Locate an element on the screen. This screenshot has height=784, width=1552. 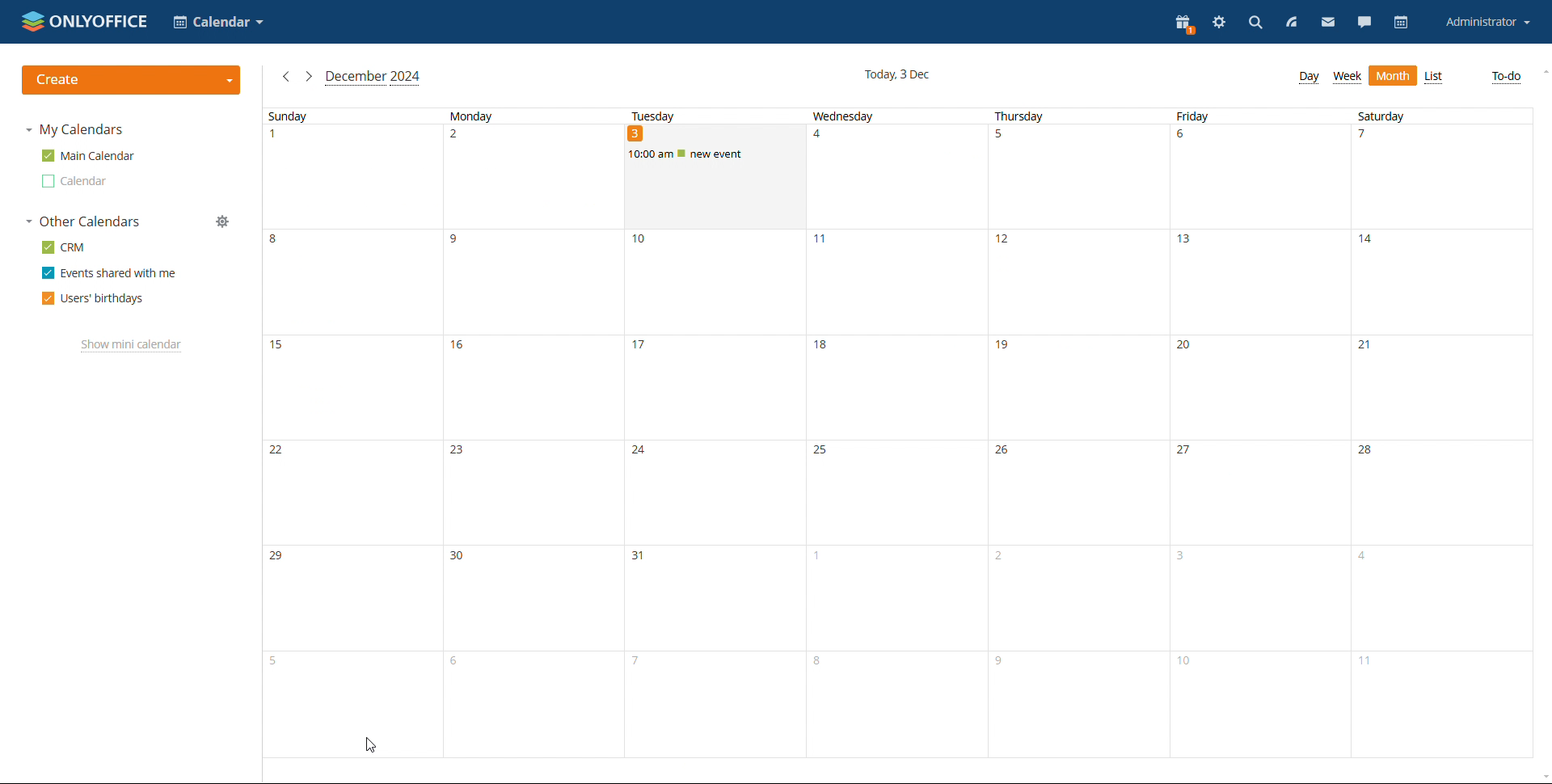
settings is located at coordinates (1220, 22).